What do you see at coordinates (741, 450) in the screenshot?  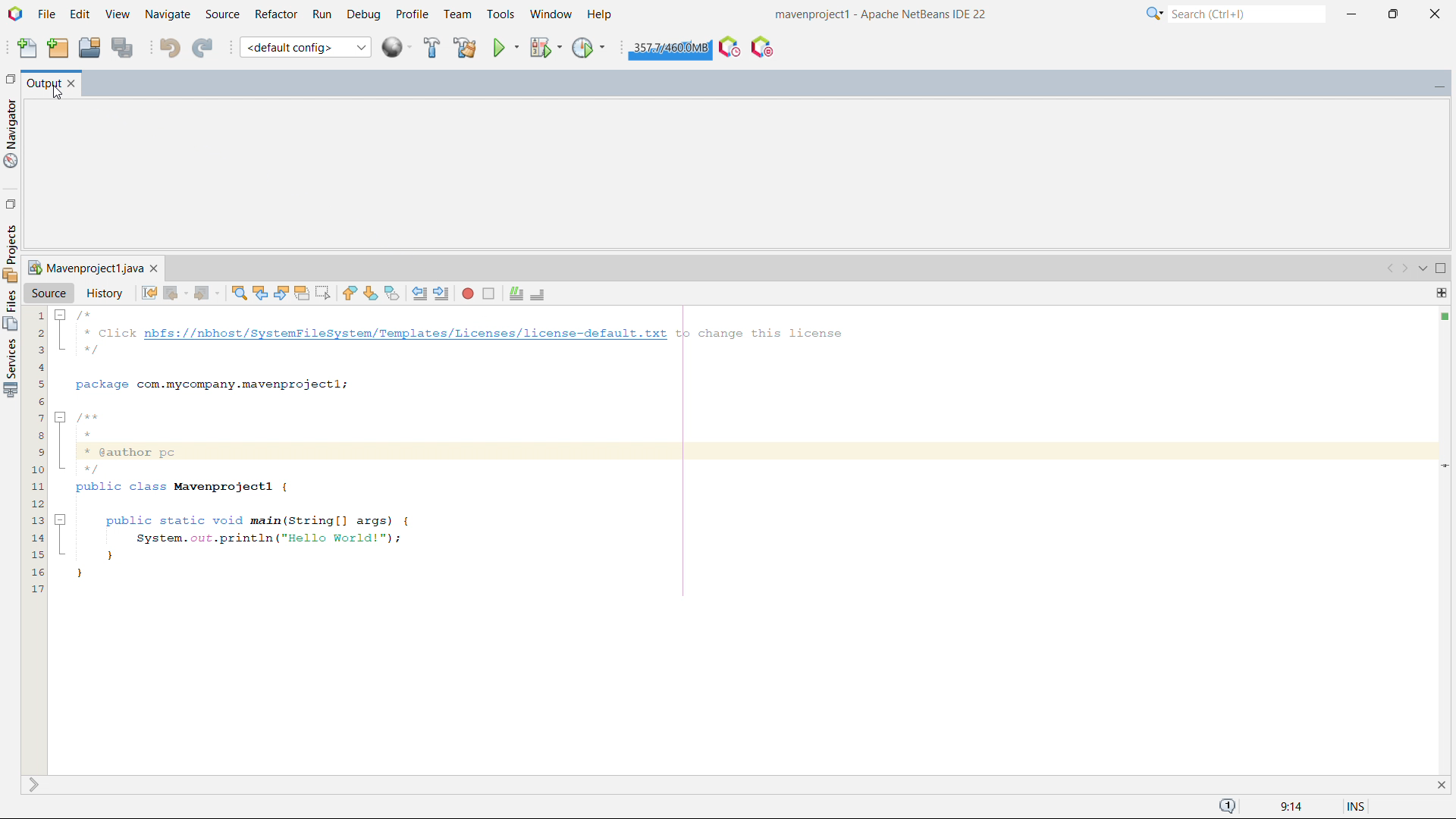 I see `A simple Java class that prints "Hello World" to the console.` at bounding box center [741, 450].